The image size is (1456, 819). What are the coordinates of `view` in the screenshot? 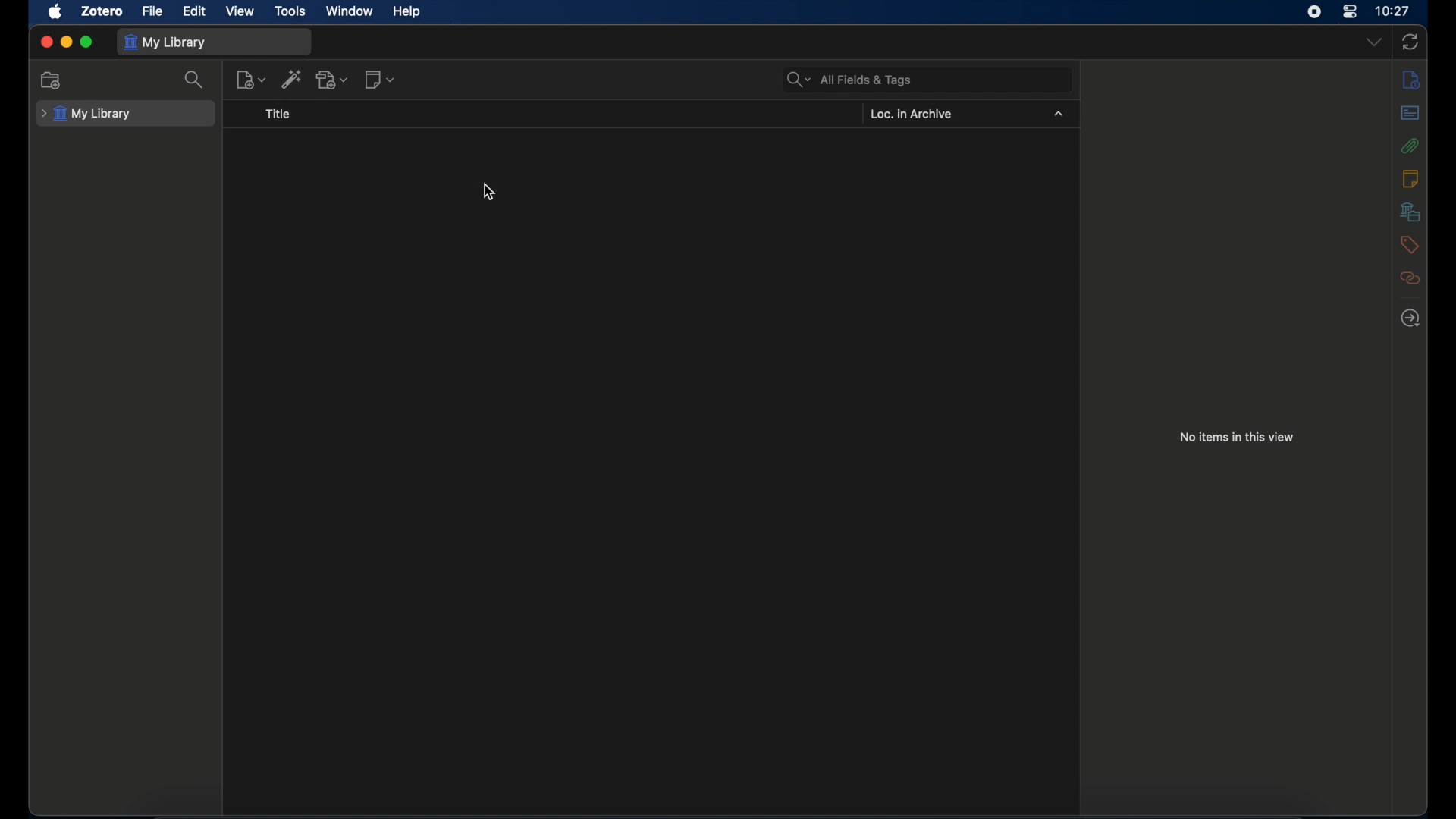 It's located at (240, 11).